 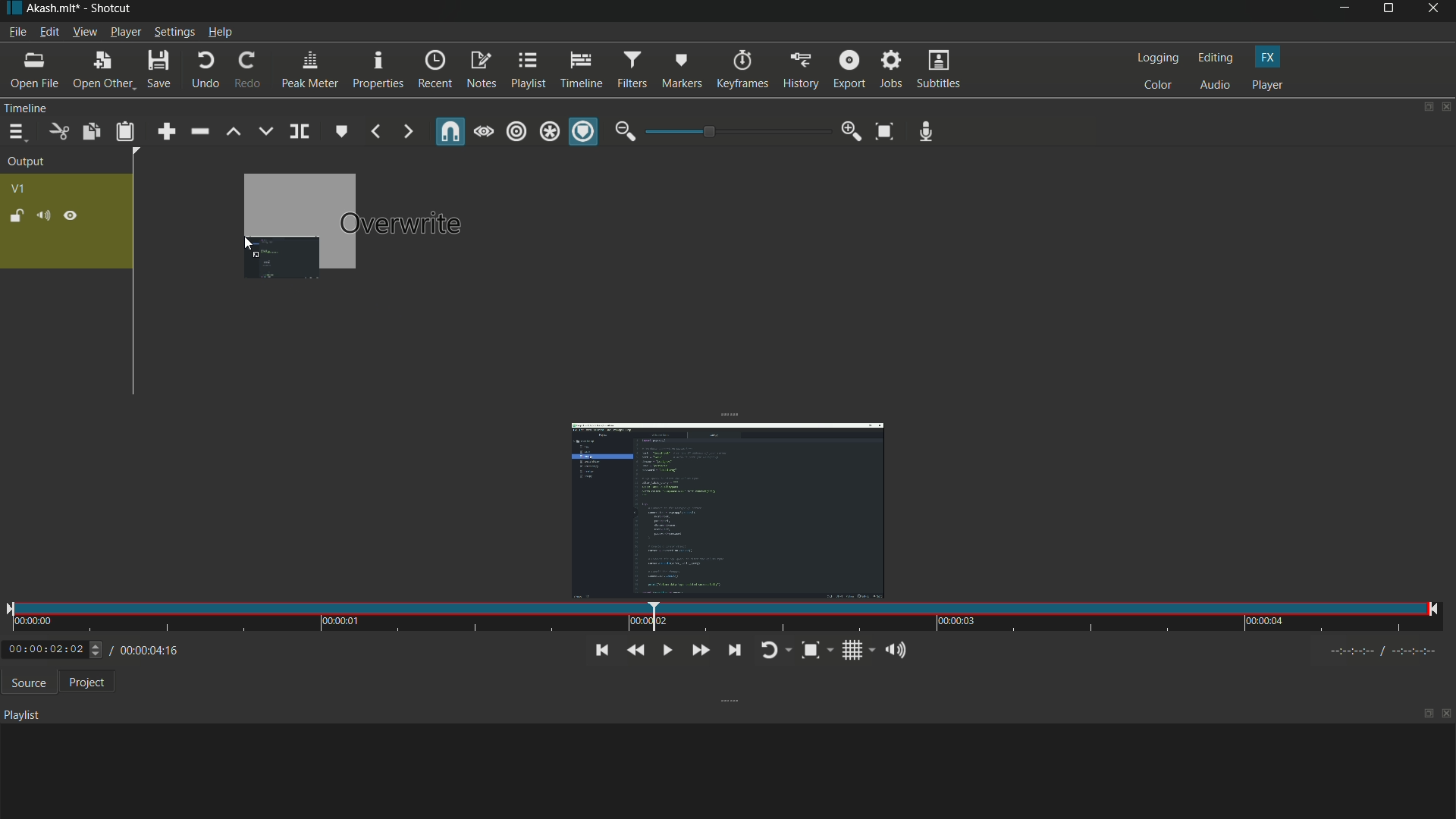 I want to click on timecodes, so click(x=1391, y=651).